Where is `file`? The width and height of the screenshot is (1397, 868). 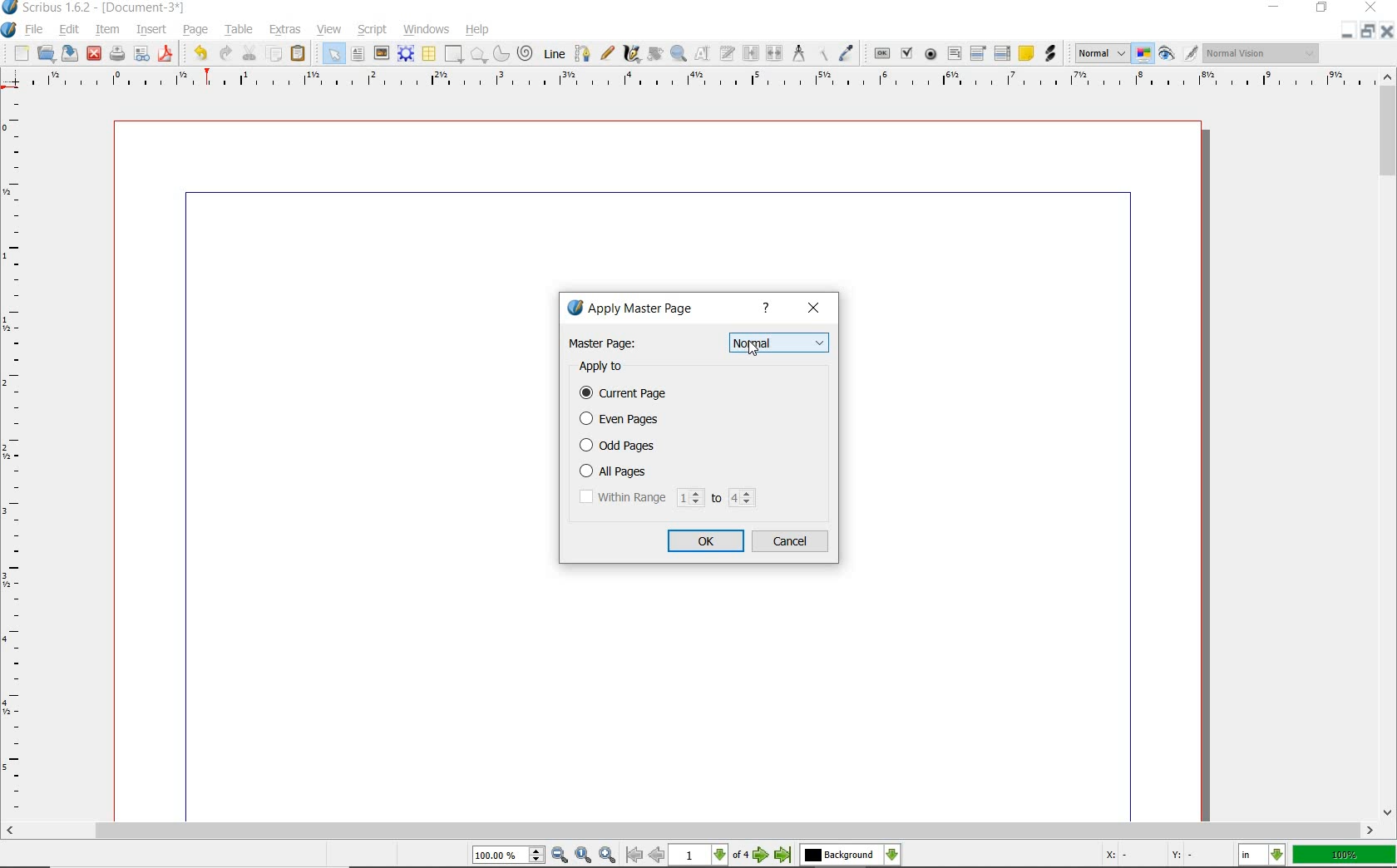
file is located at coordinates (36, 29).